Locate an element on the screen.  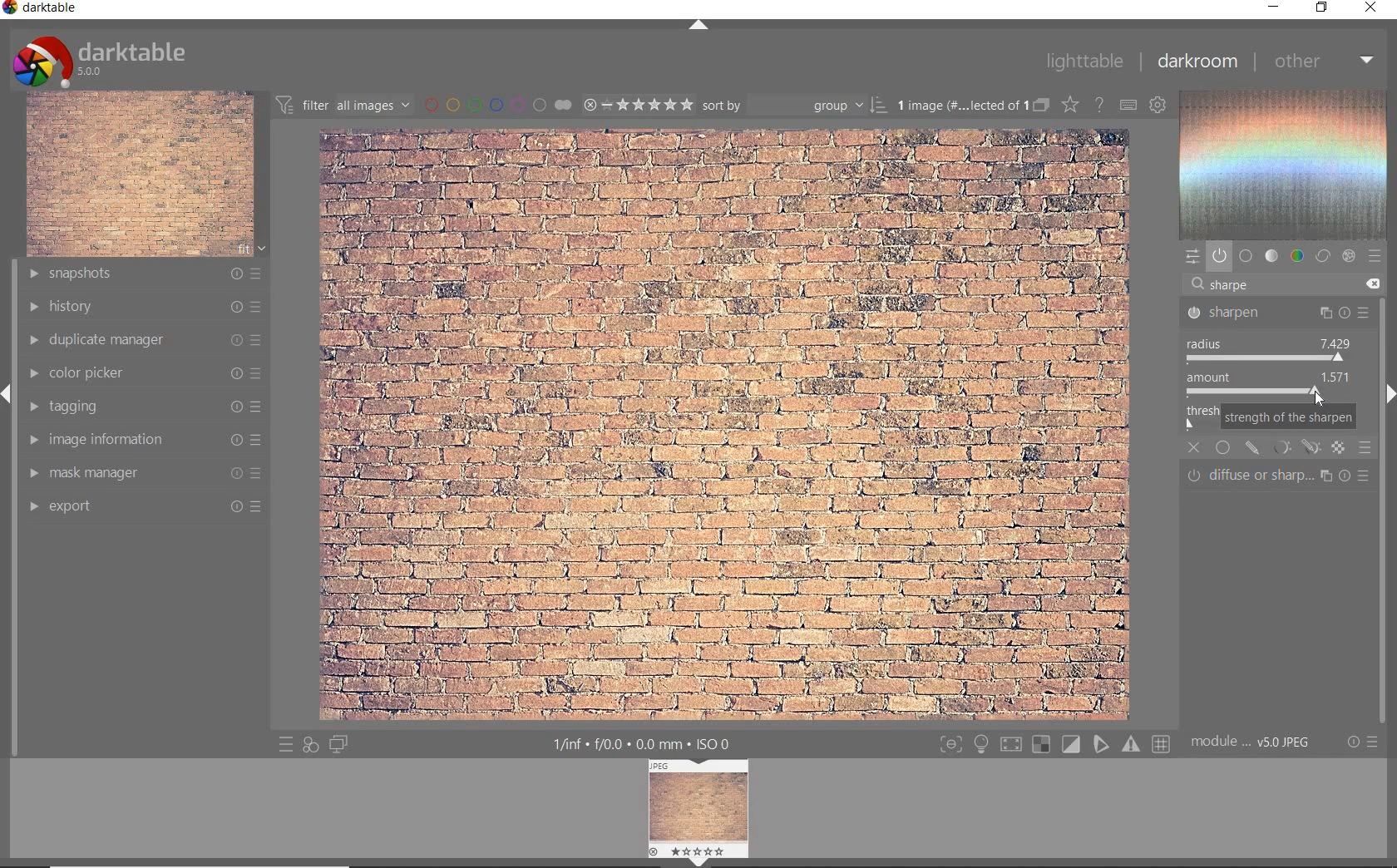
module ...v5.0 JPEG is located at coordinates (1251, 744).